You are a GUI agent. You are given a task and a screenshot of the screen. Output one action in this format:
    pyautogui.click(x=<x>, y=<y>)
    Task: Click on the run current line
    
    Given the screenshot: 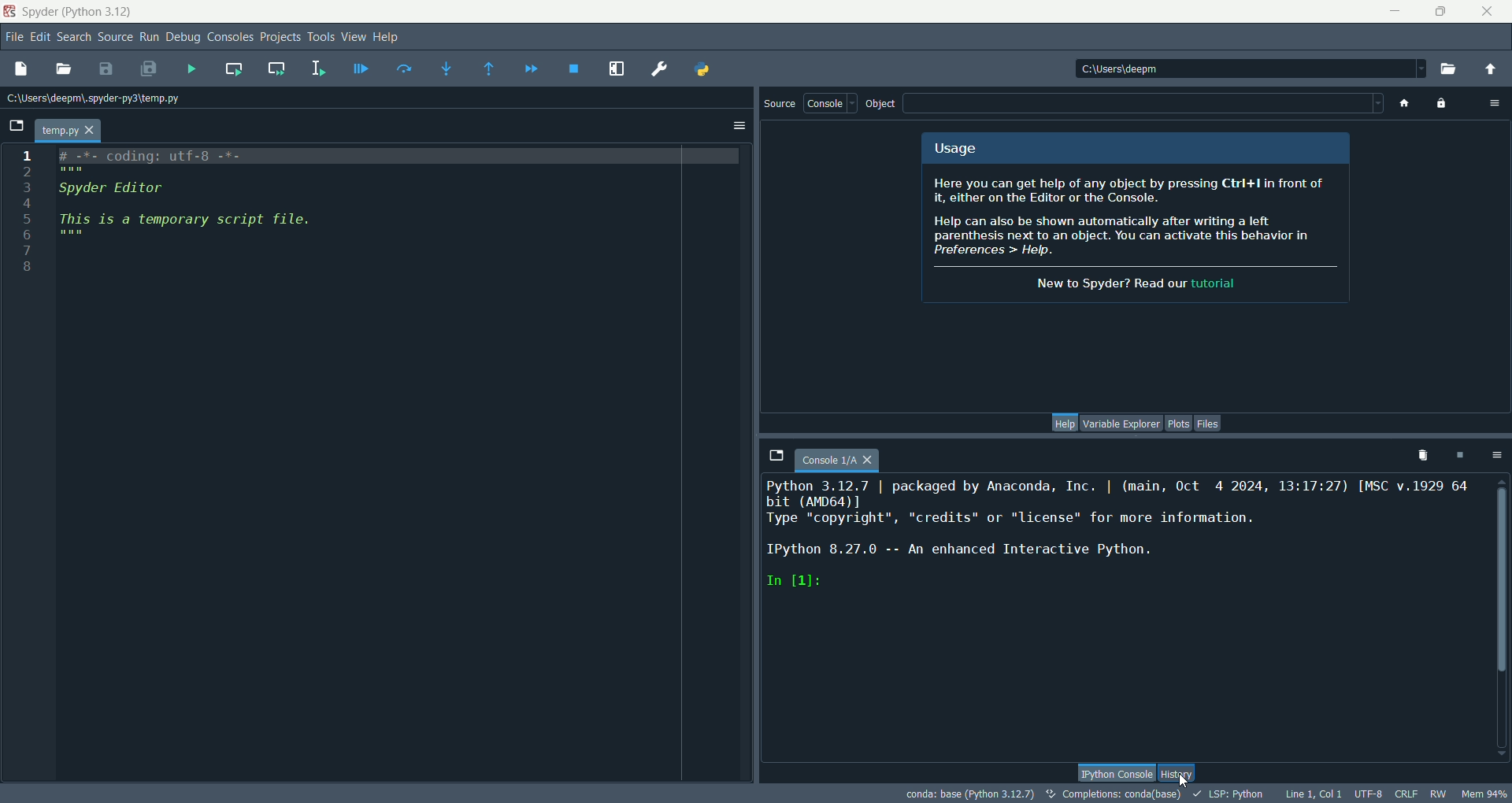 What is the action you would take?
    pyautogui.click(x=404, y=69)
    